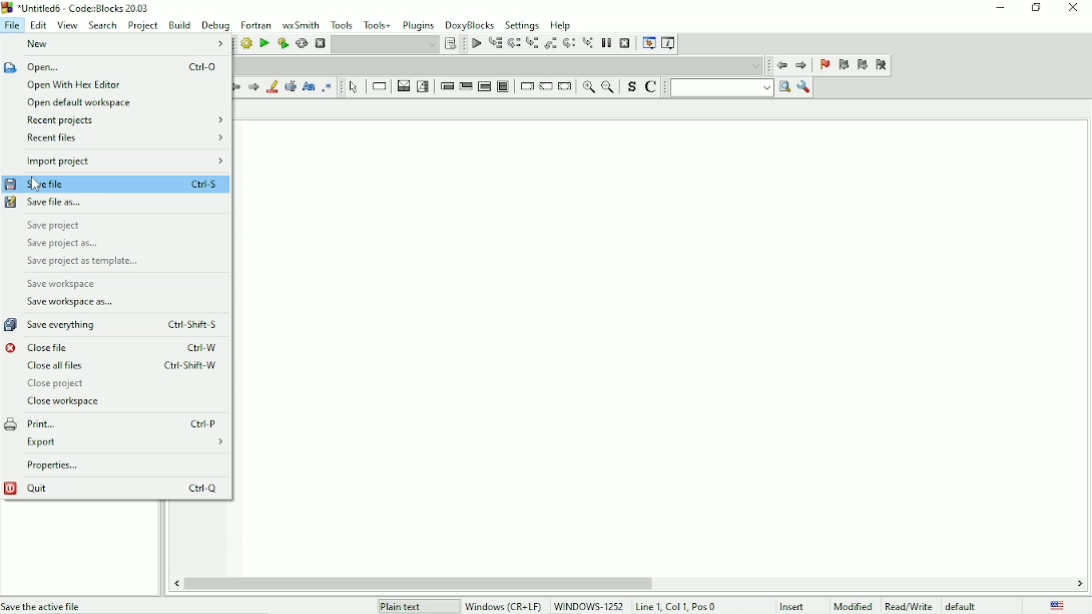  Describe the element at coordinates (291, 87) in the screenshot. I see `Selected text` at that location.